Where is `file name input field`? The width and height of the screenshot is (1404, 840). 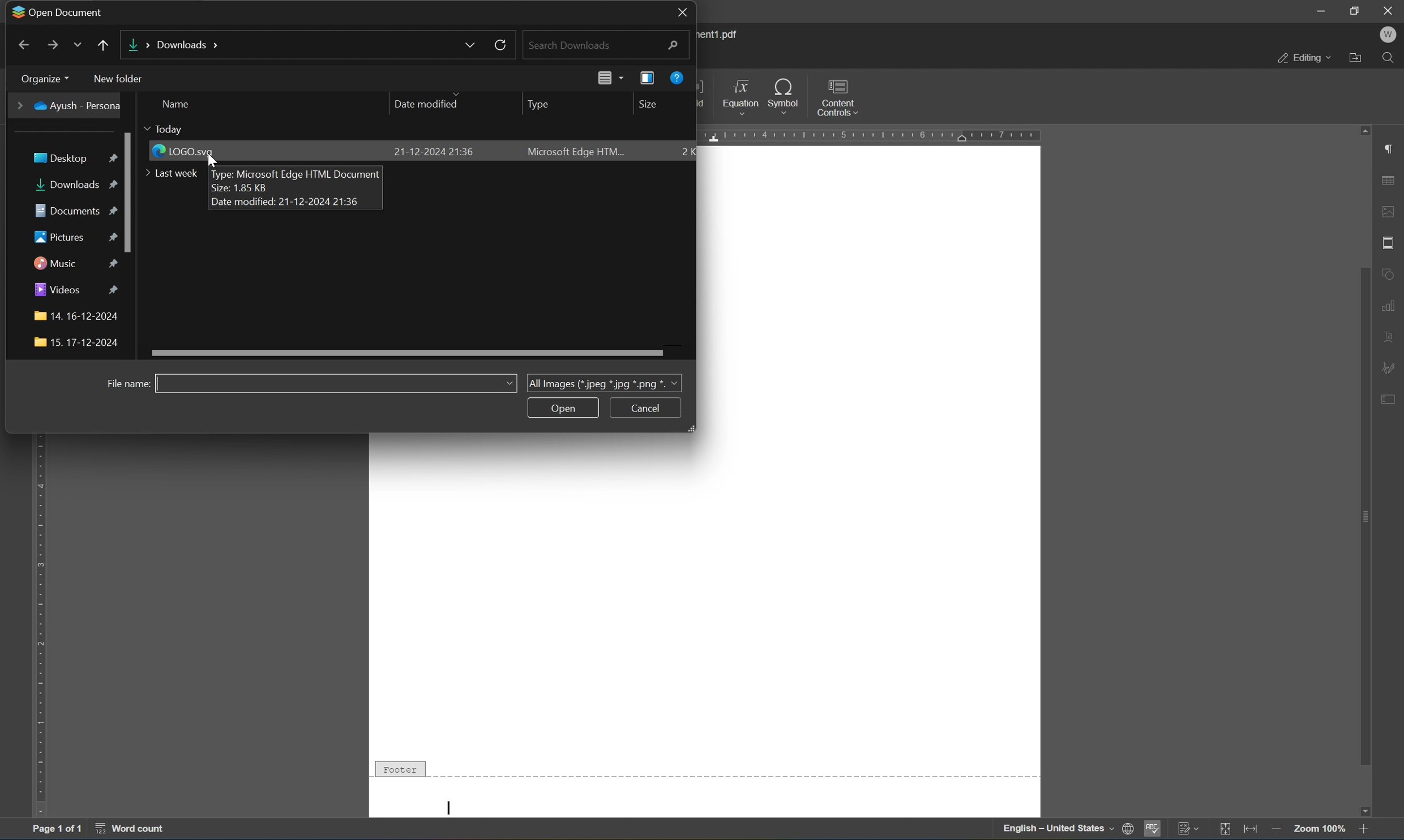
file name input field is located at coordinates (336, 384).